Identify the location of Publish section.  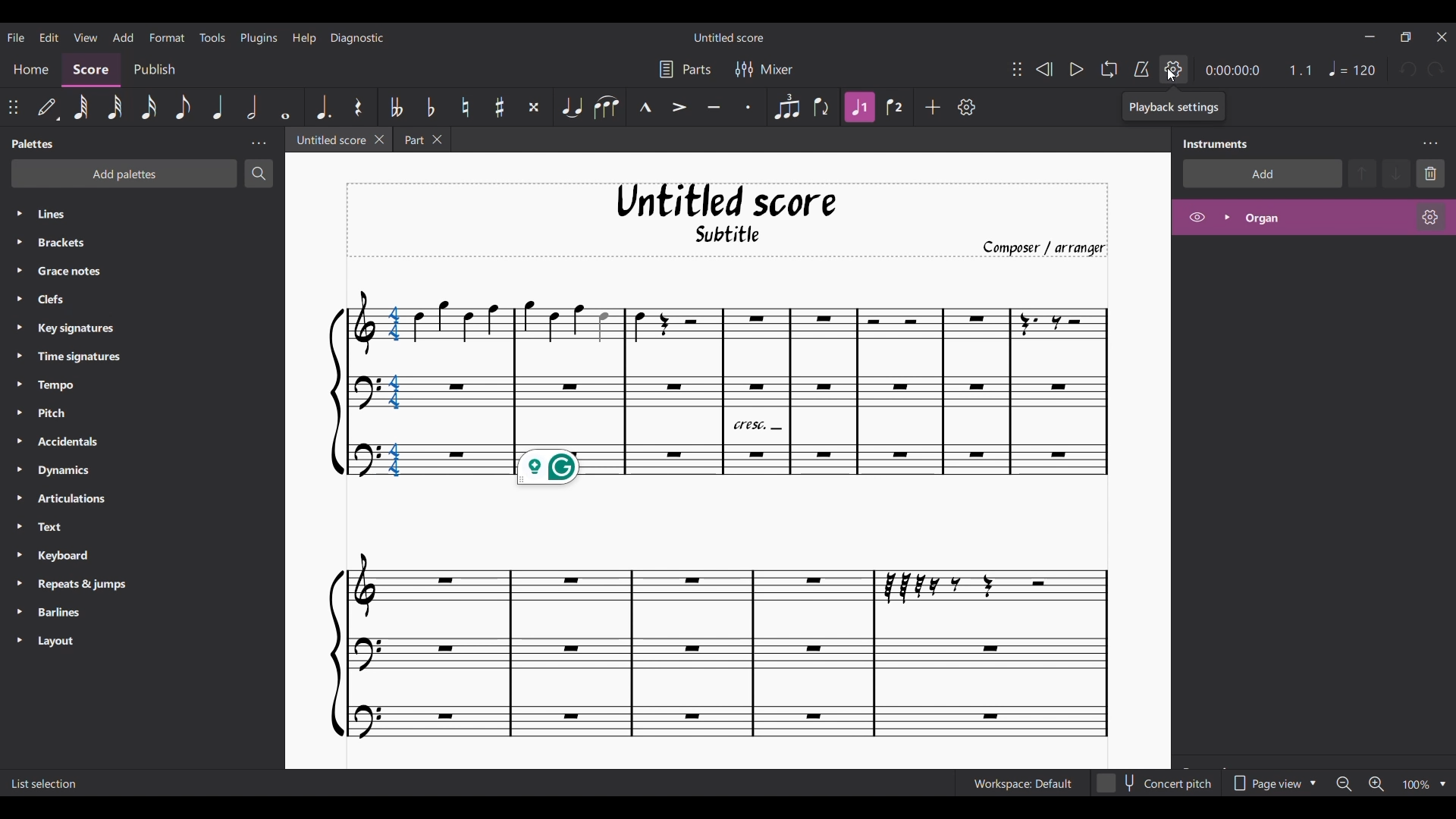
(154, 70).